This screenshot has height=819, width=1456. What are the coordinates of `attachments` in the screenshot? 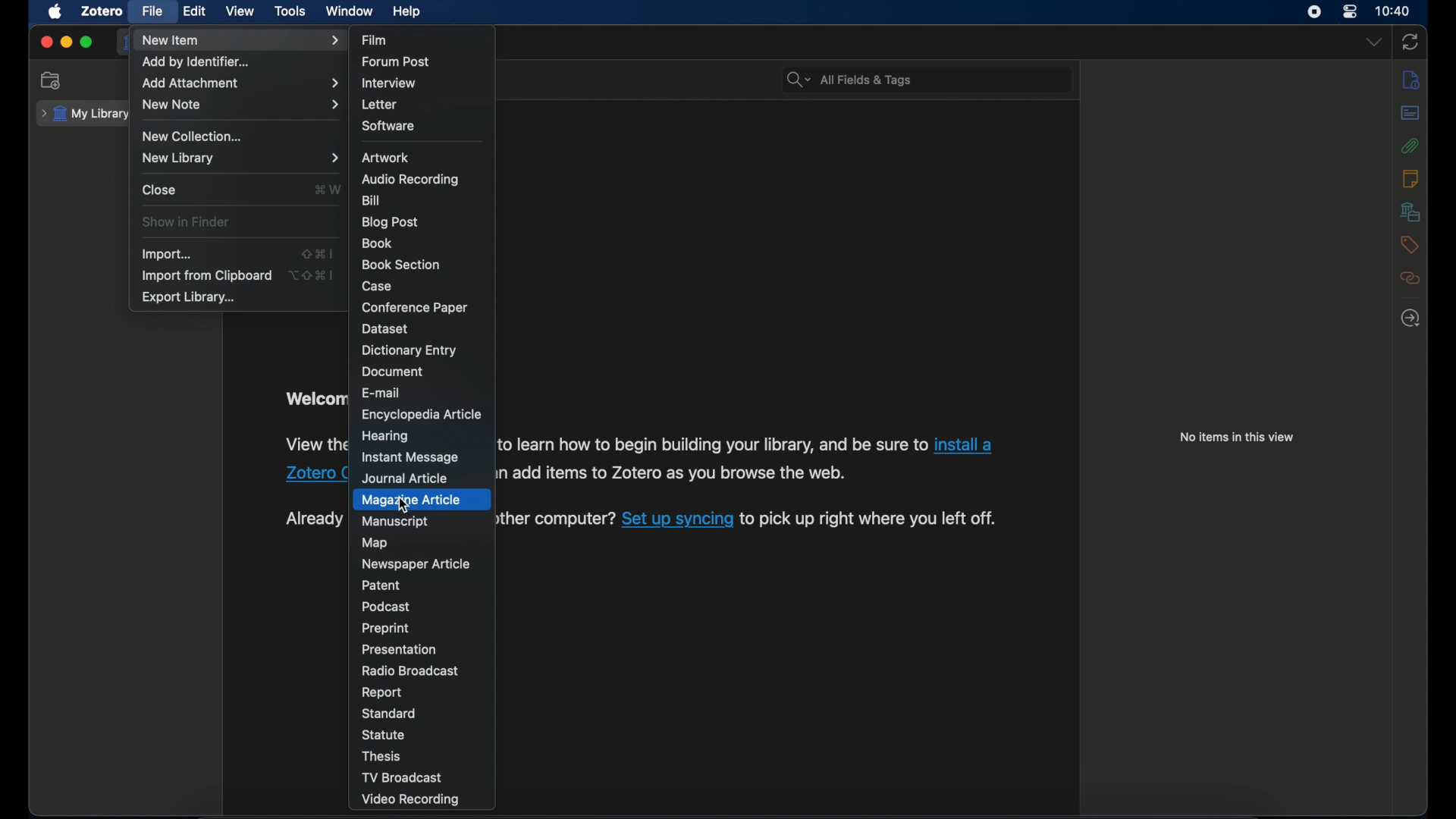 It's located at (1410, 146).